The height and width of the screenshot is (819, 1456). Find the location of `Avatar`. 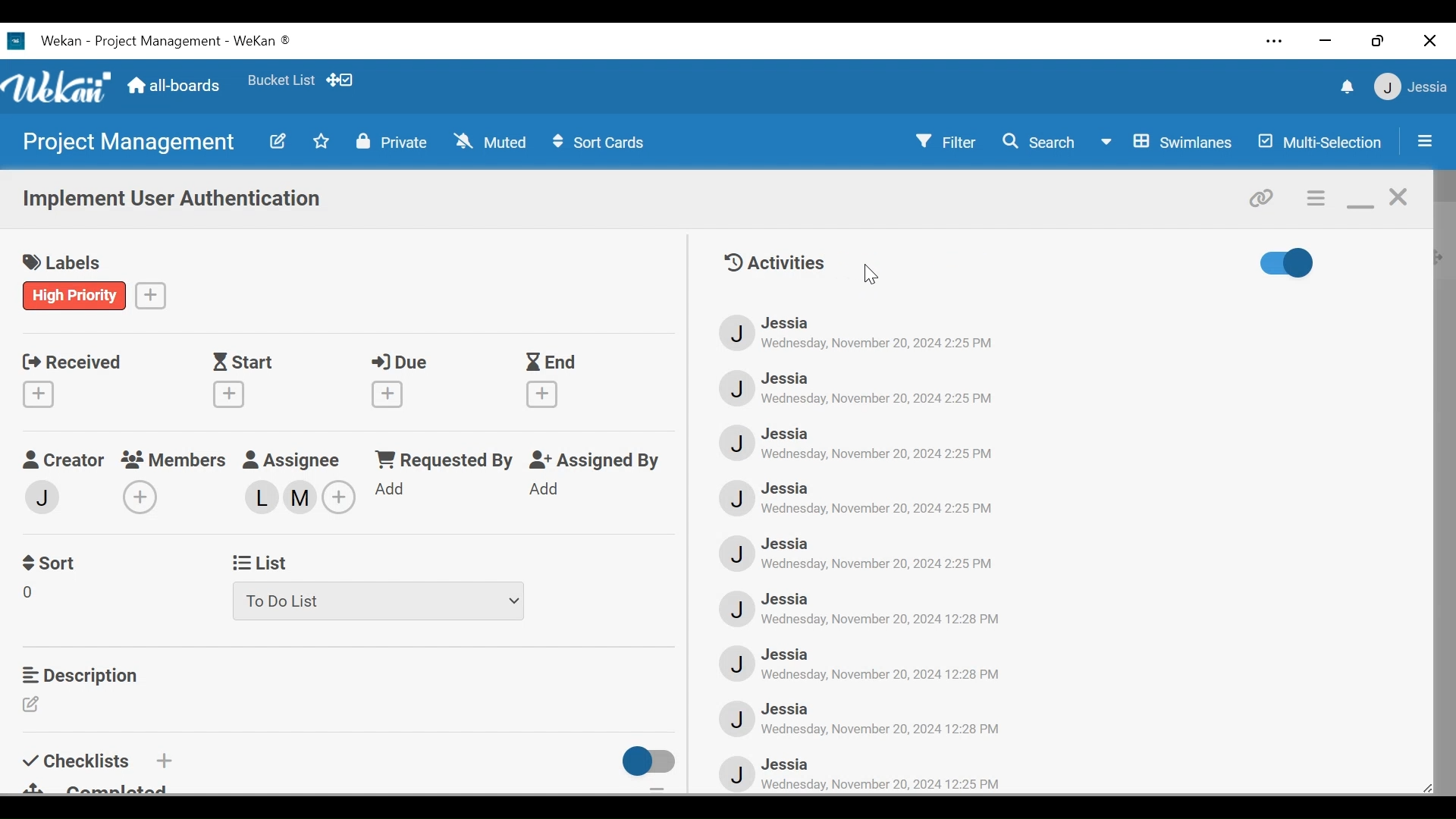

Avatar is located at coordinates (736, 609).